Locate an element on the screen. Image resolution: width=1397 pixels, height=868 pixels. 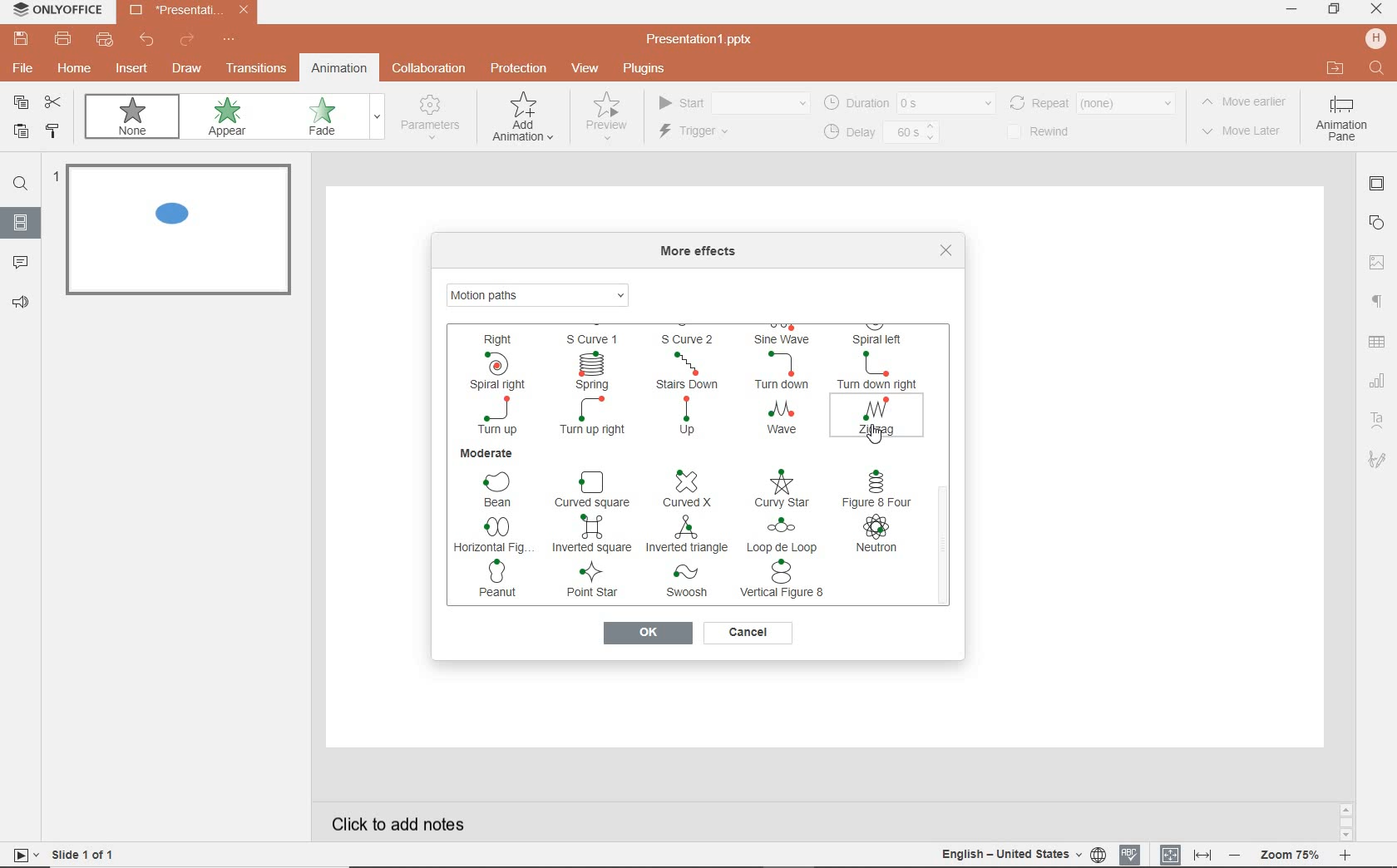
undo is located at coordinates (148, 42).